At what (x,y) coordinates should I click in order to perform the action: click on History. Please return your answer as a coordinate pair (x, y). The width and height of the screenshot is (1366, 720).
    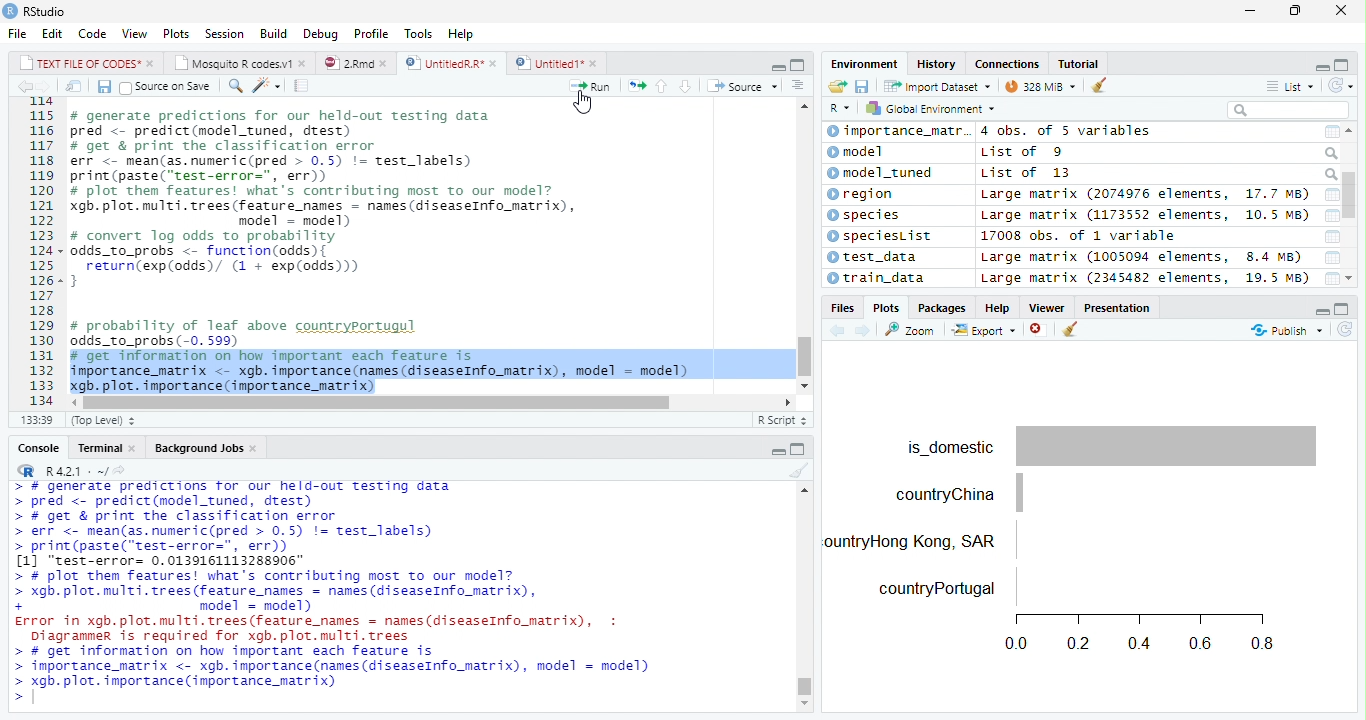
    Looking at the image, I should click on (938, 64).